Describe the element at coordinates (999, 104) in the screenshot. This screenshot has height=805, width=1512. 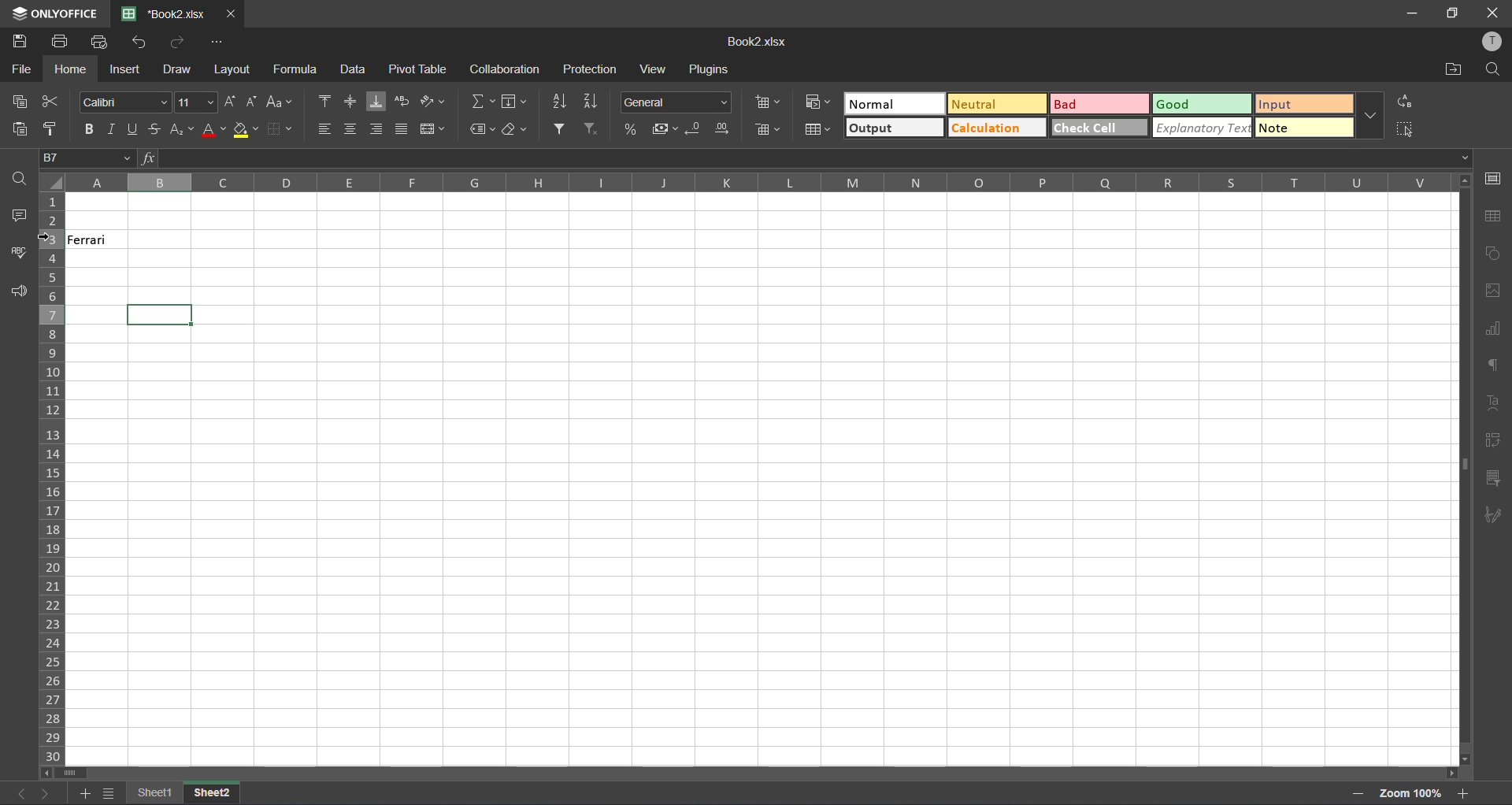
I see `neutral` at that location.